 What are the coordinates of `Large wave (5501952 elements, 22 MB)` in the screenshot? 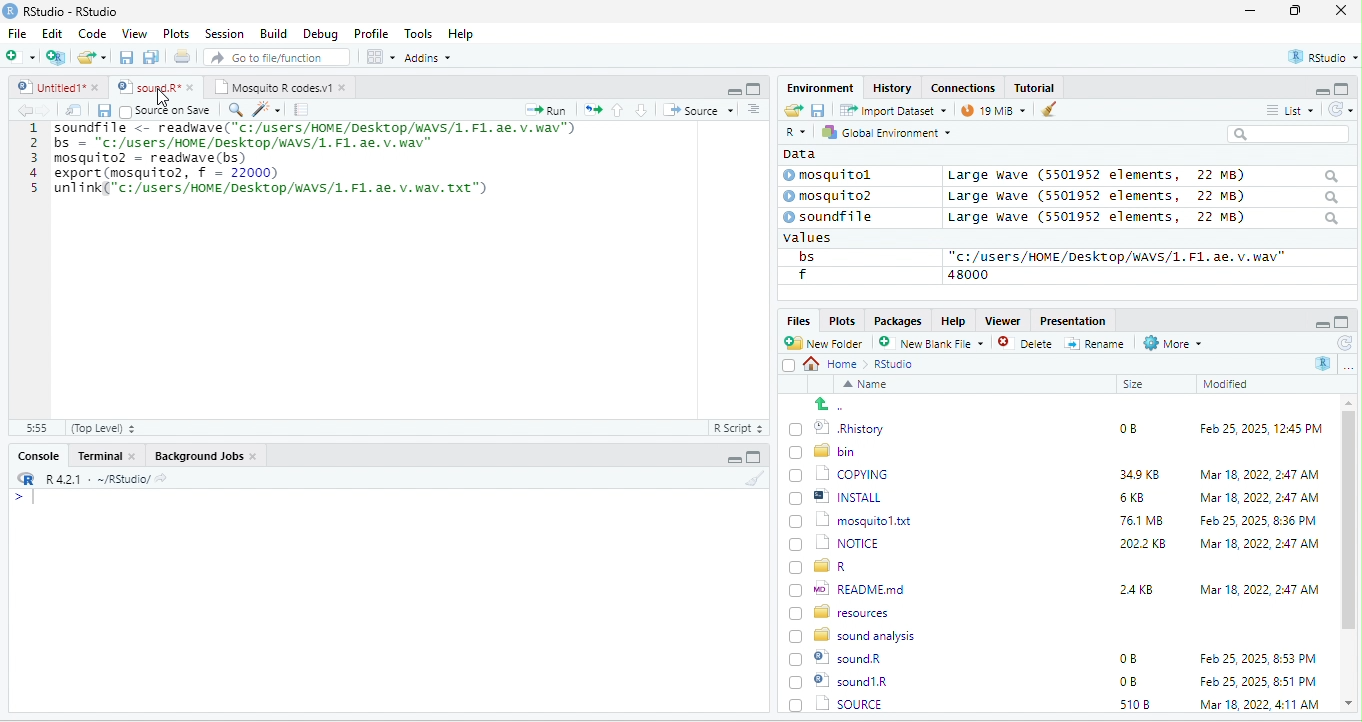 It's located at (1142, 175).